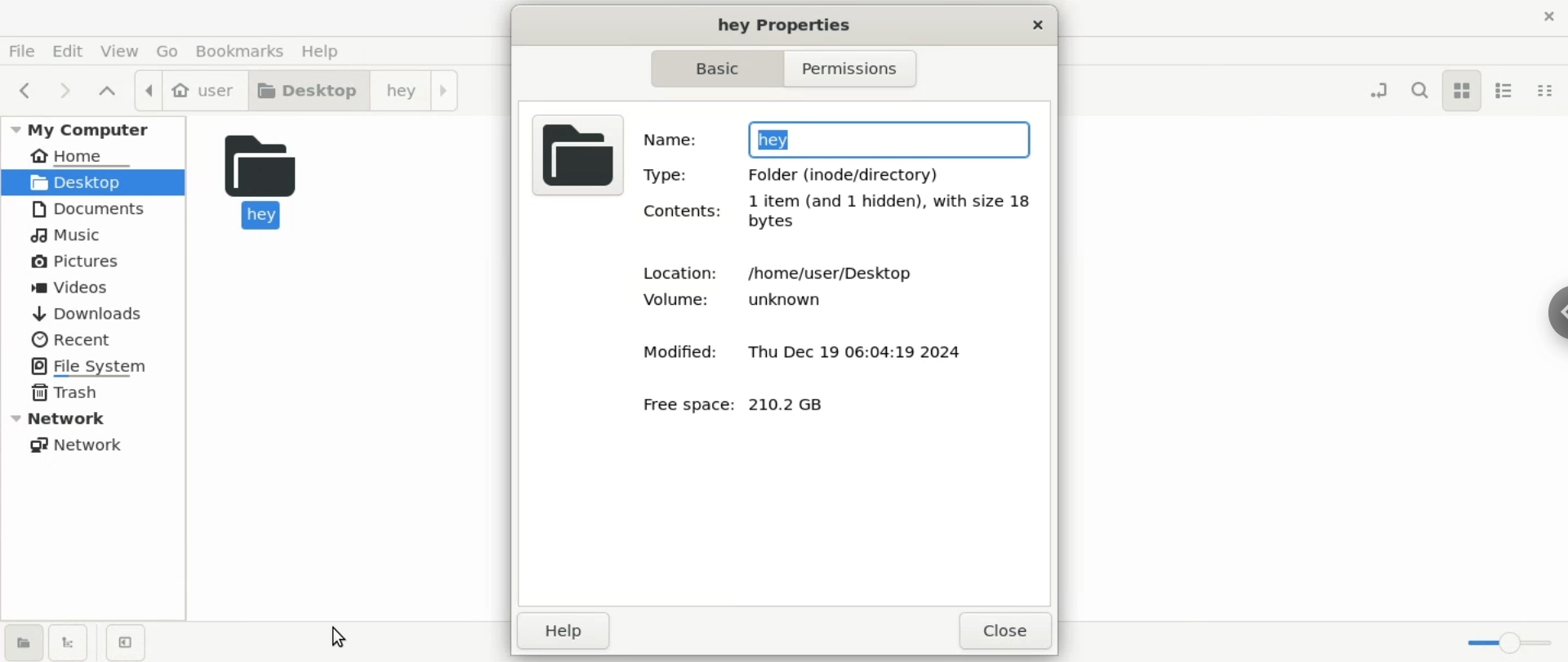 The height and width of the screenshot is (662, 1568). Describe the element at coordinates (666, 174) in the screenshot. I see `type` at that location.